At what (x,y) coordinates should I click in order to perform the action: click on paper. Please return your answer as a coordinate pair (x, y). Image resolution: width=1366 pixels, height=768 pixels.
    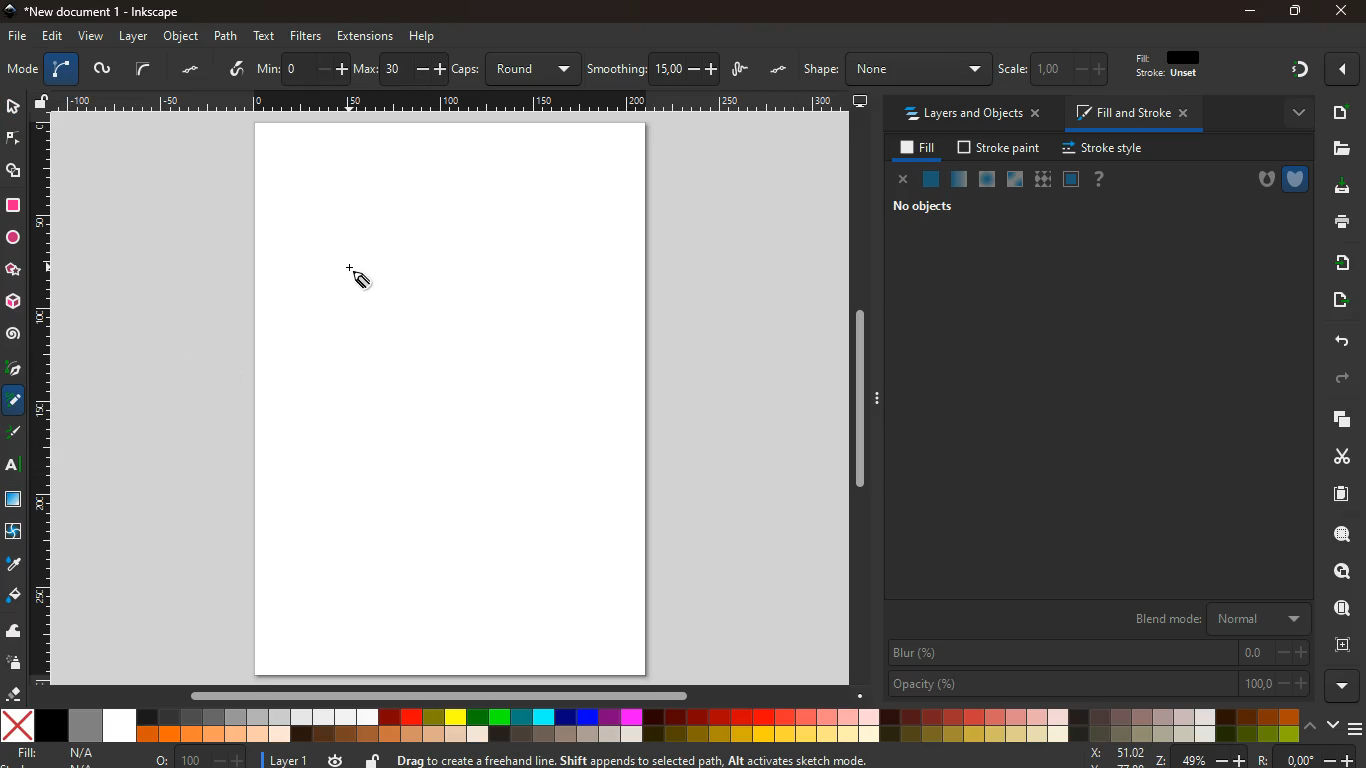
    Looking at the image, I should click on (1339, 493).